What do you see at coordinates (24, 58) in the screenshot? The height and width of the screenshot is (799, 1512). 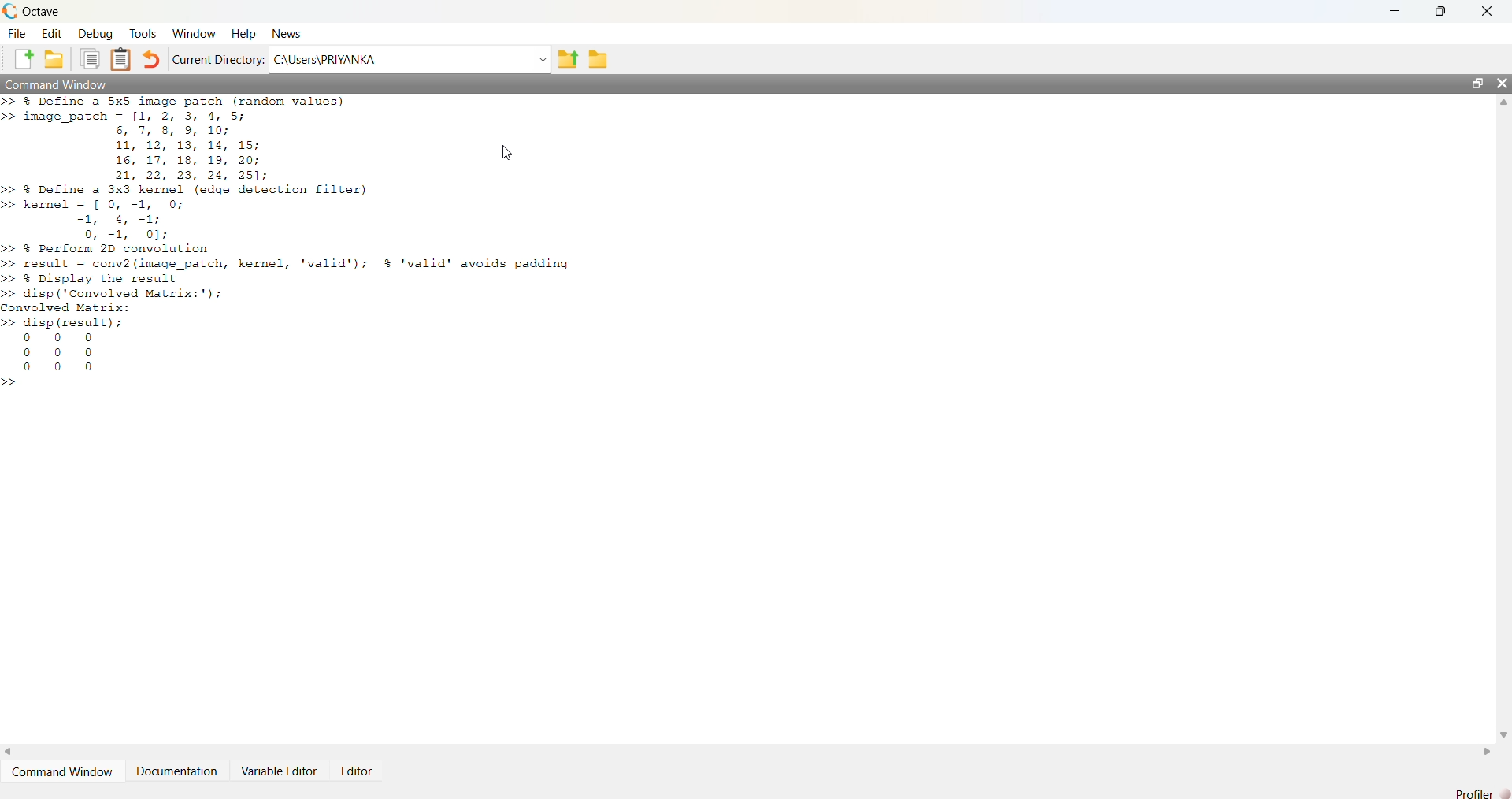 I see `New script` at bounding box center [24, 58].